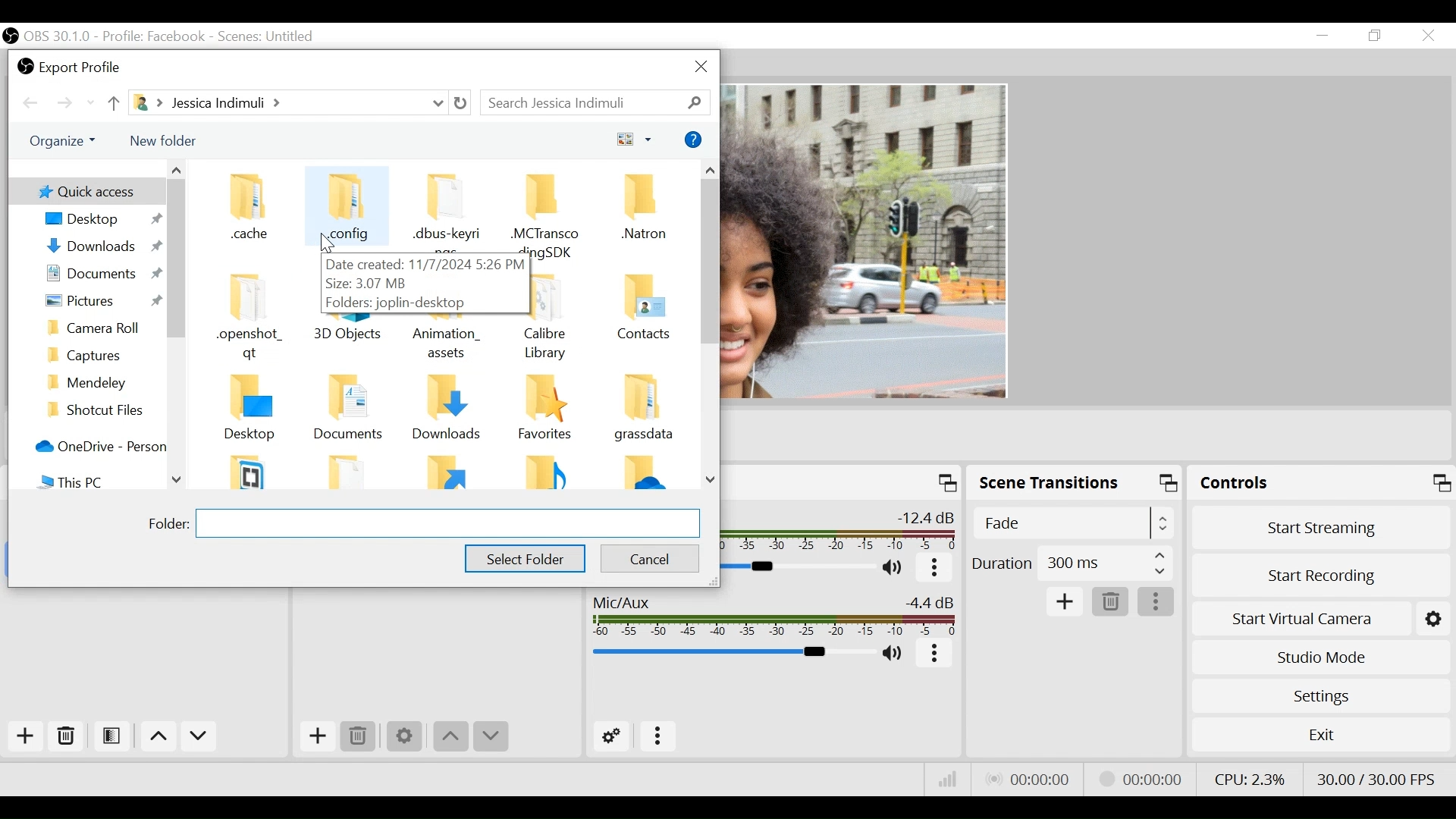  What do you see at coordinates (1323, 697) in the screenshot?
I see `Settings` at bounding box center [1323, 697].